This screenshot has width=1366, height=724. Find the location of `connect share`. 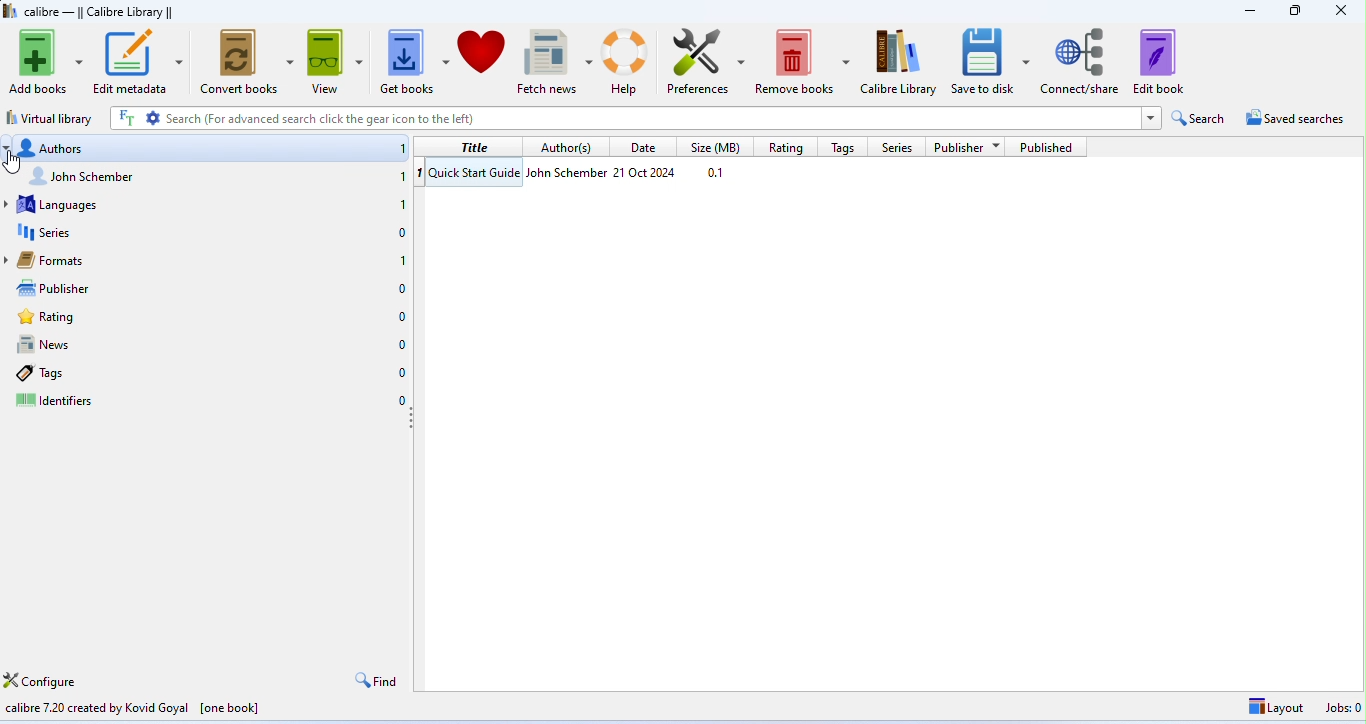

connect share is located at coordinates (1079, 59).